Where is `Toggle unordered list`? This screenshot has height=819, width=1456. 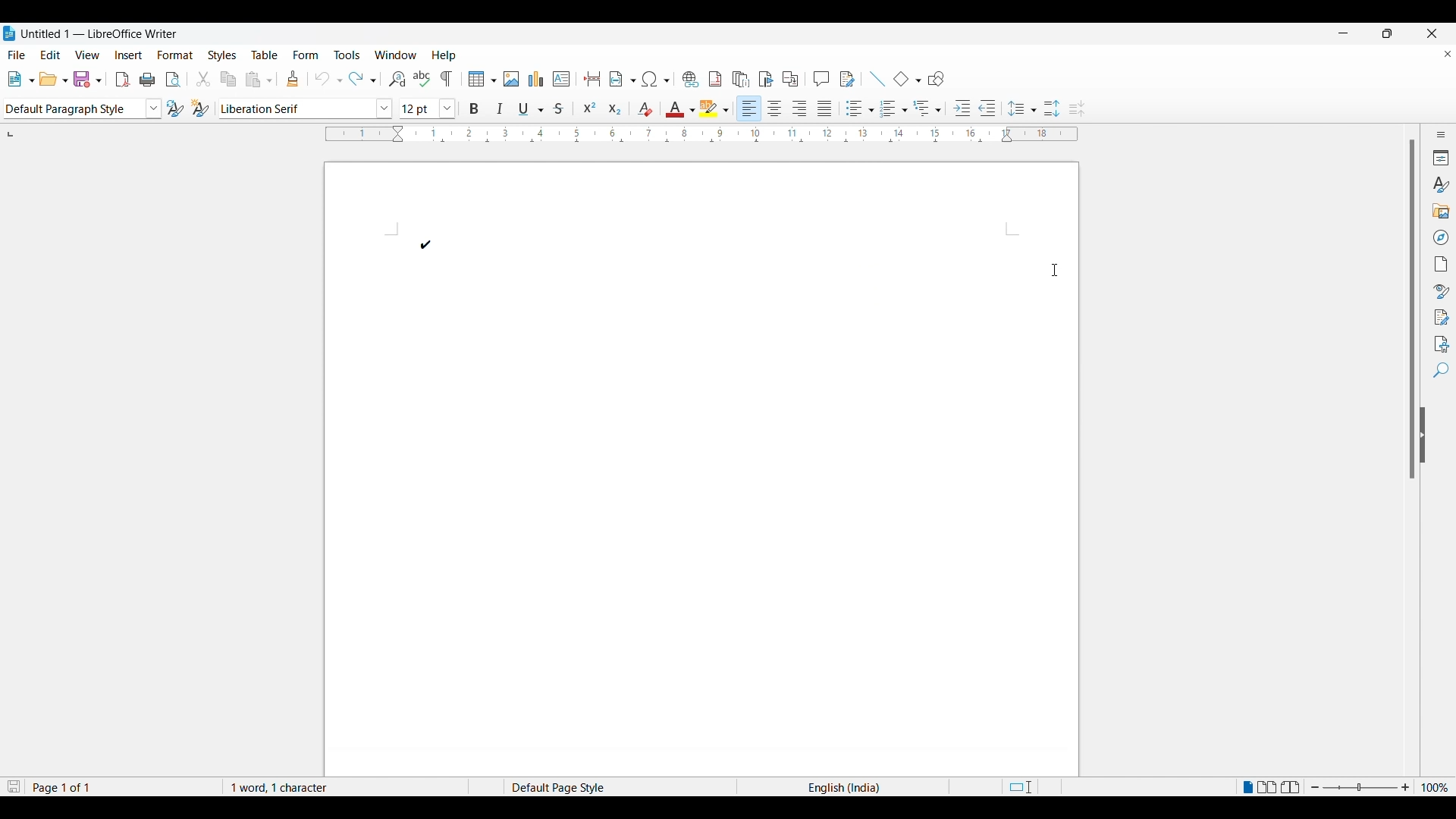 Toggle unordered list is located at coordinates (856, 105).